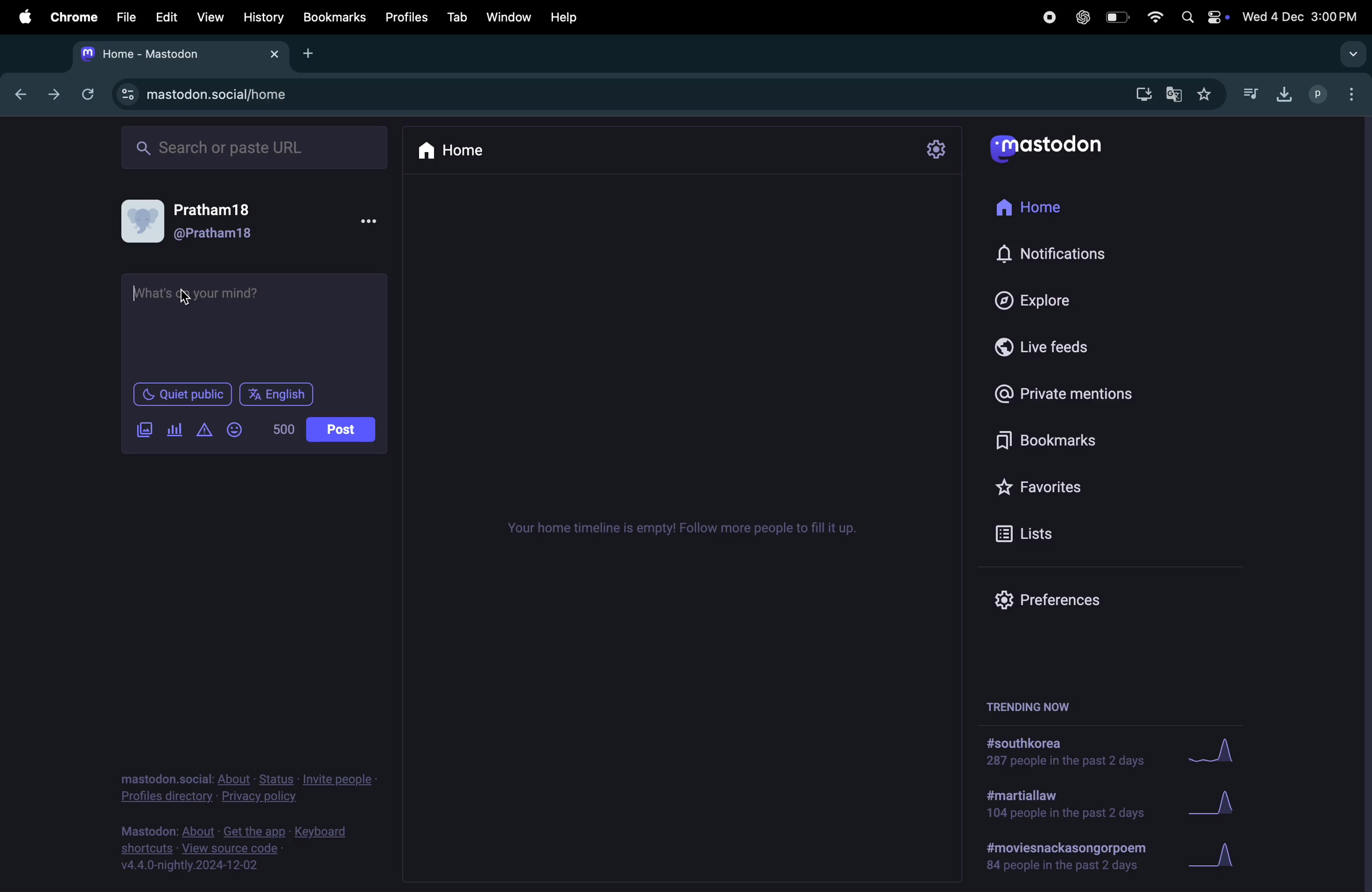 The width and height of the screenshot is (1372, 892). I want to click on #marshallaw, so click(1065, 805).